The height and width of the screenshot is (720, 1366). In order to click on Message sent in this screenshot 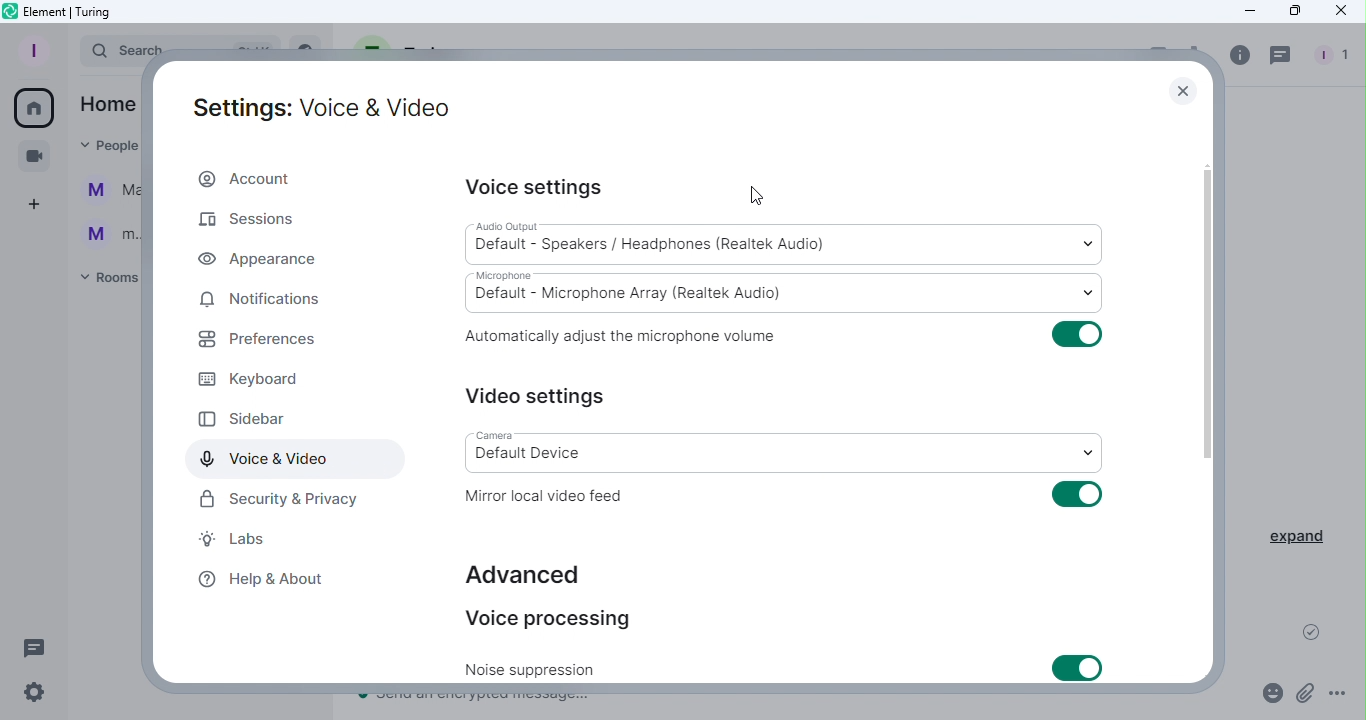, I will do `click(1304, 632)`.